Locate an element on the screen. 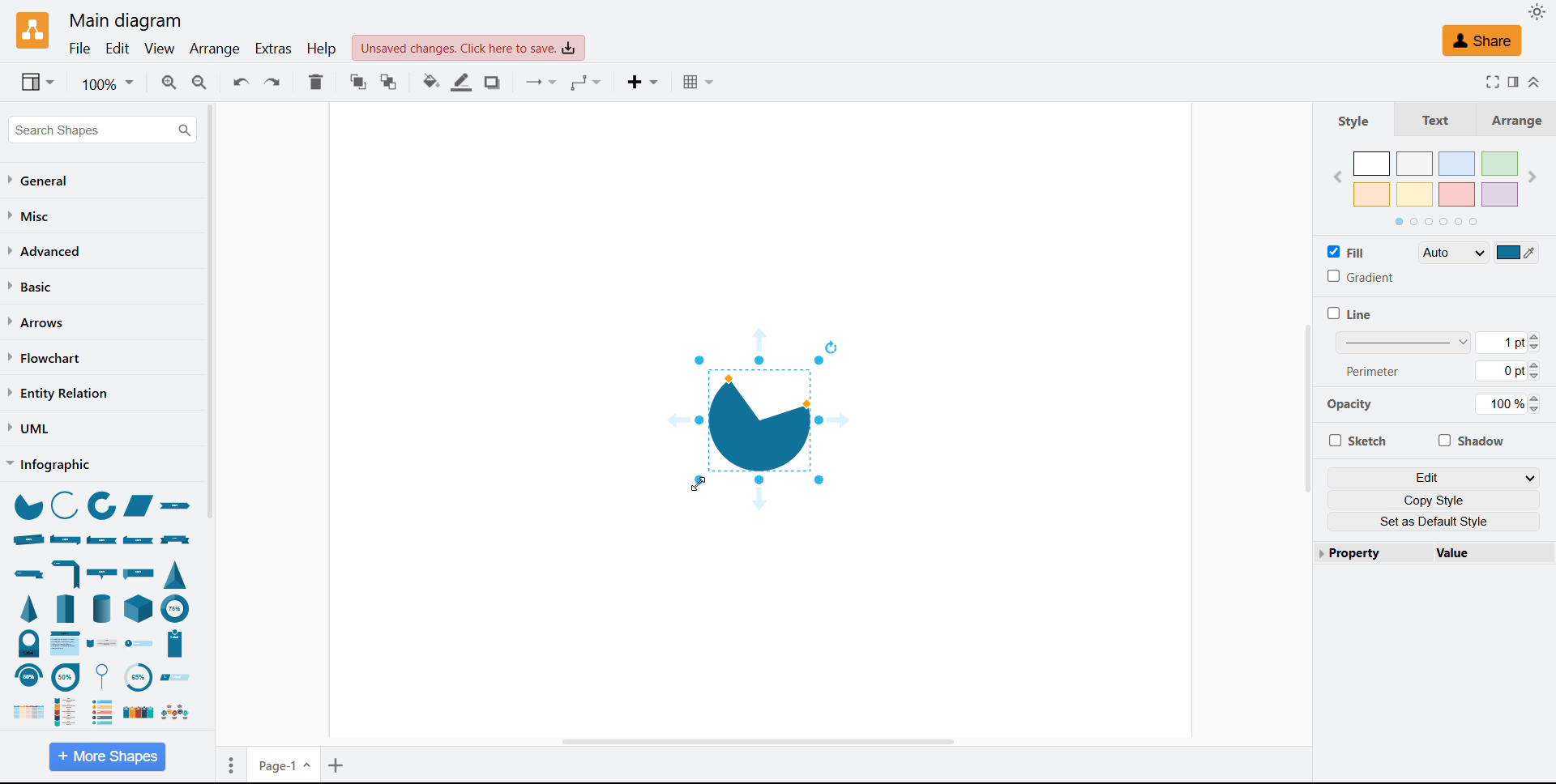  share  is located at coordinates (1481, 40).